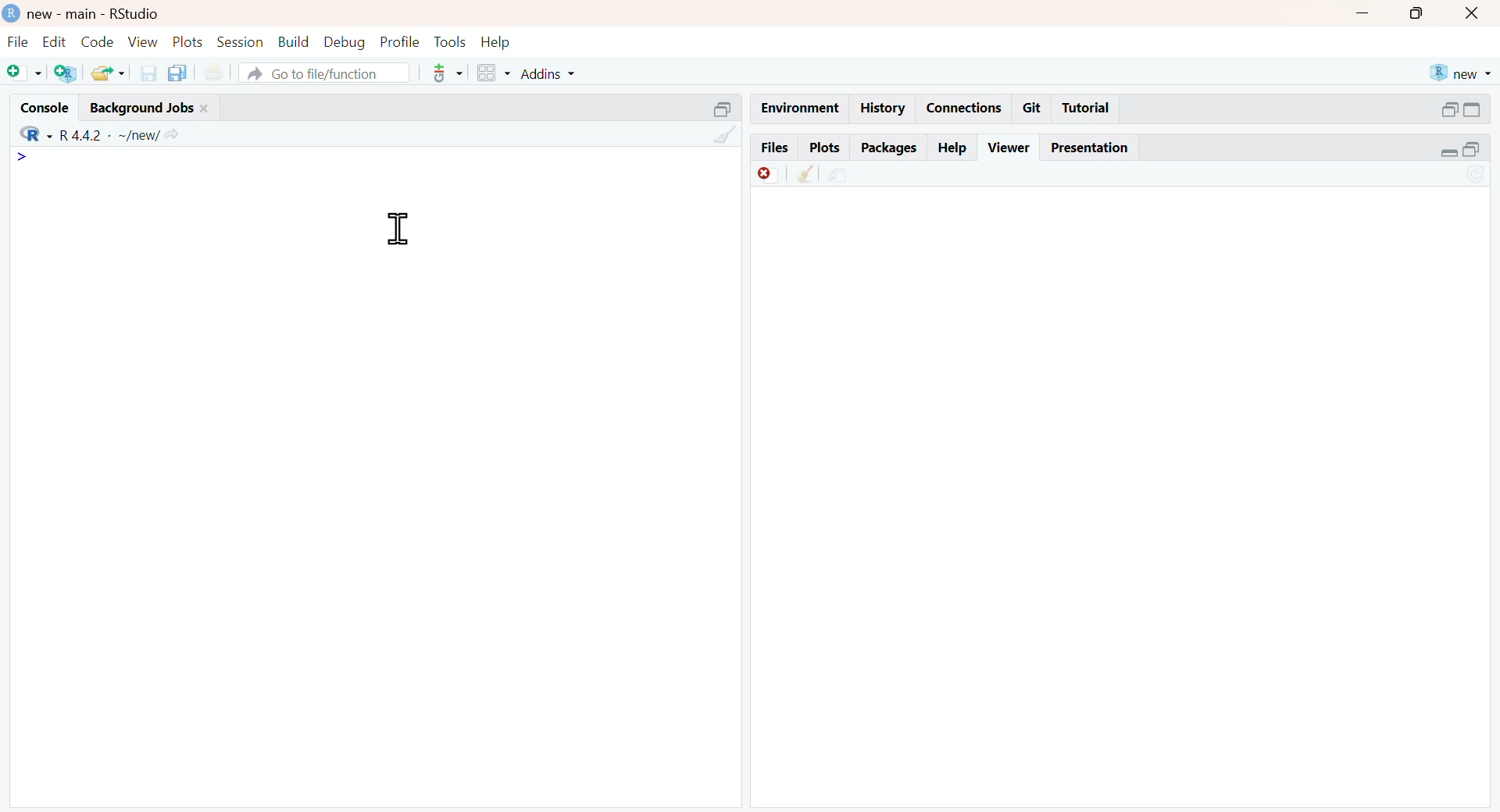  What do you see at coordinates (756, 173) in the screenshot?
I see `Remove current viewer tem` at bounding box center [756, 173].